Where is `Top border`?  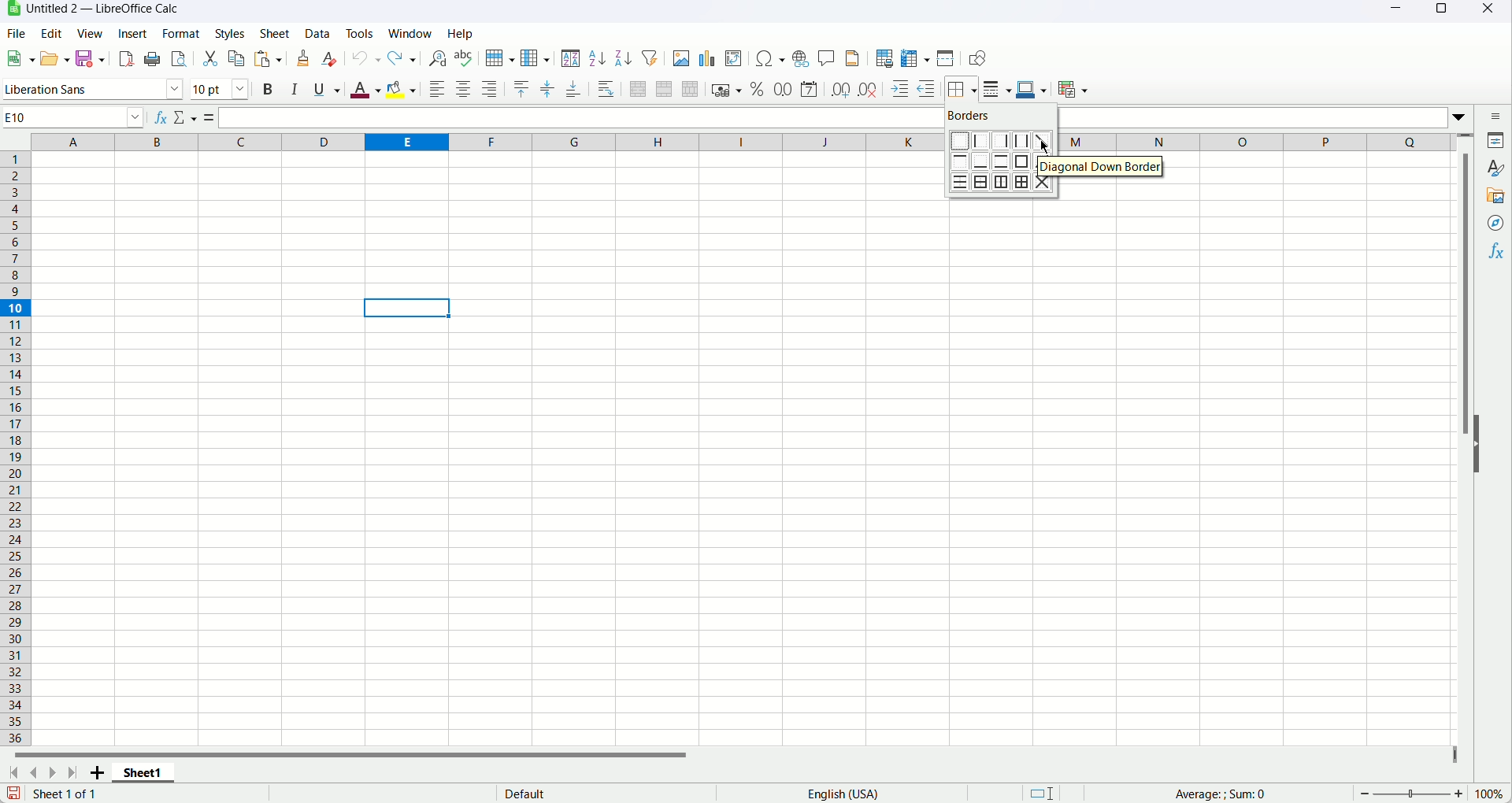
Top border is located at coordinates (959, 161).